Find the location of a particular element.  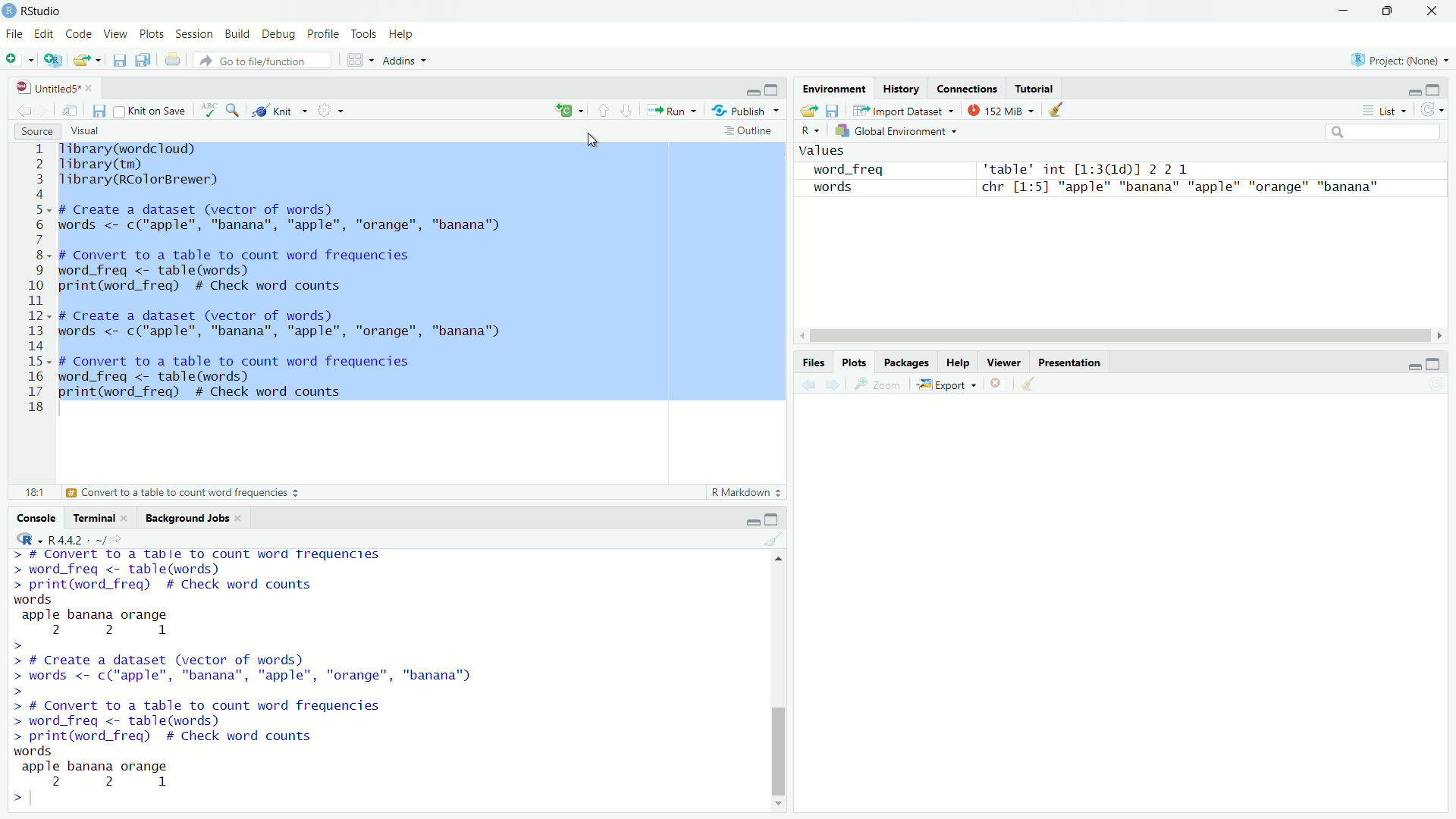

Code is located at coordinates (78, 35).